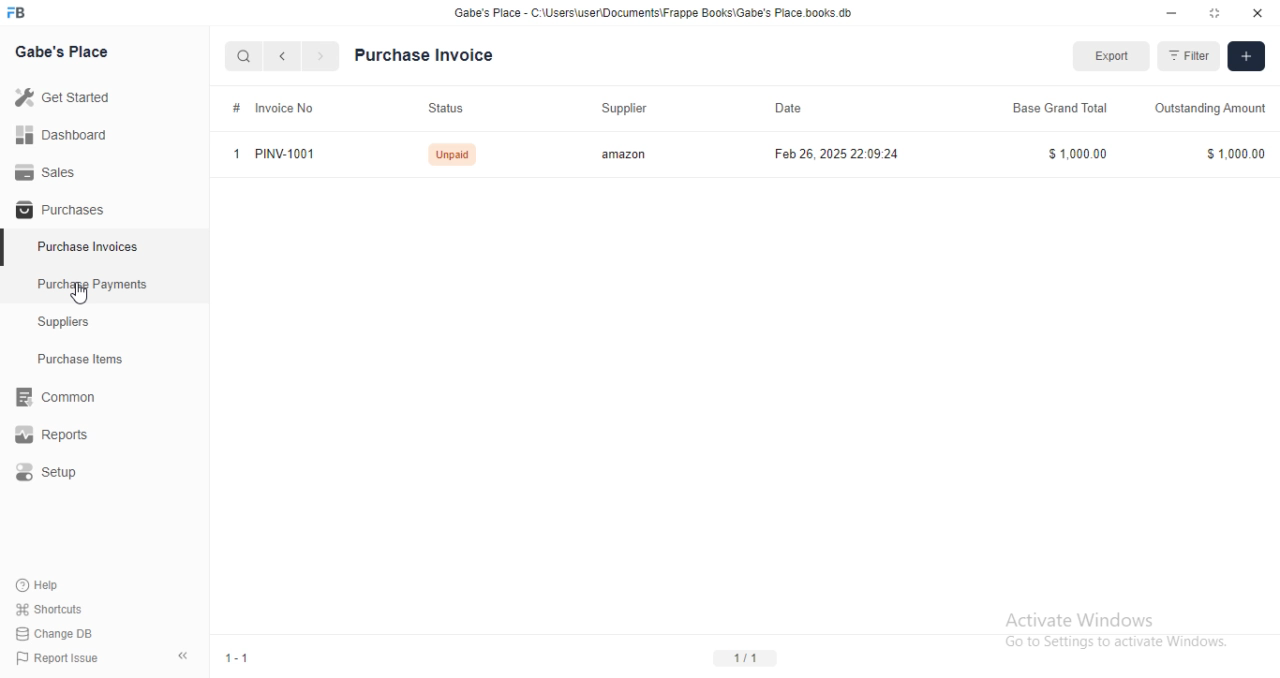  Describe the element at coordinates (1213, 13) in the screenshot. I see `resize` at that location.